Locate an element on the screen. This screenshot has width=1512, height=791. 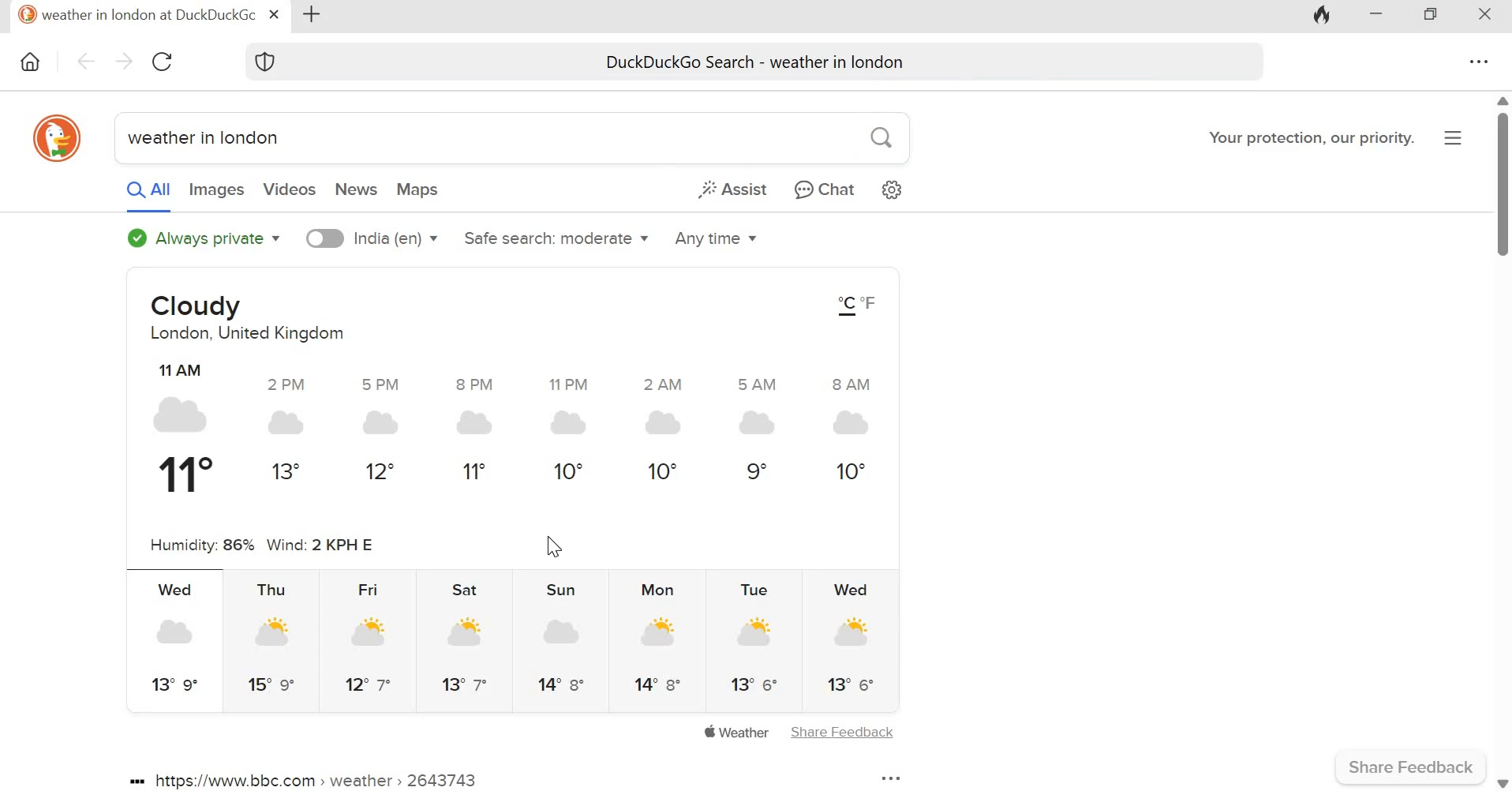
Application menu is located at coordinates (1455, 137).